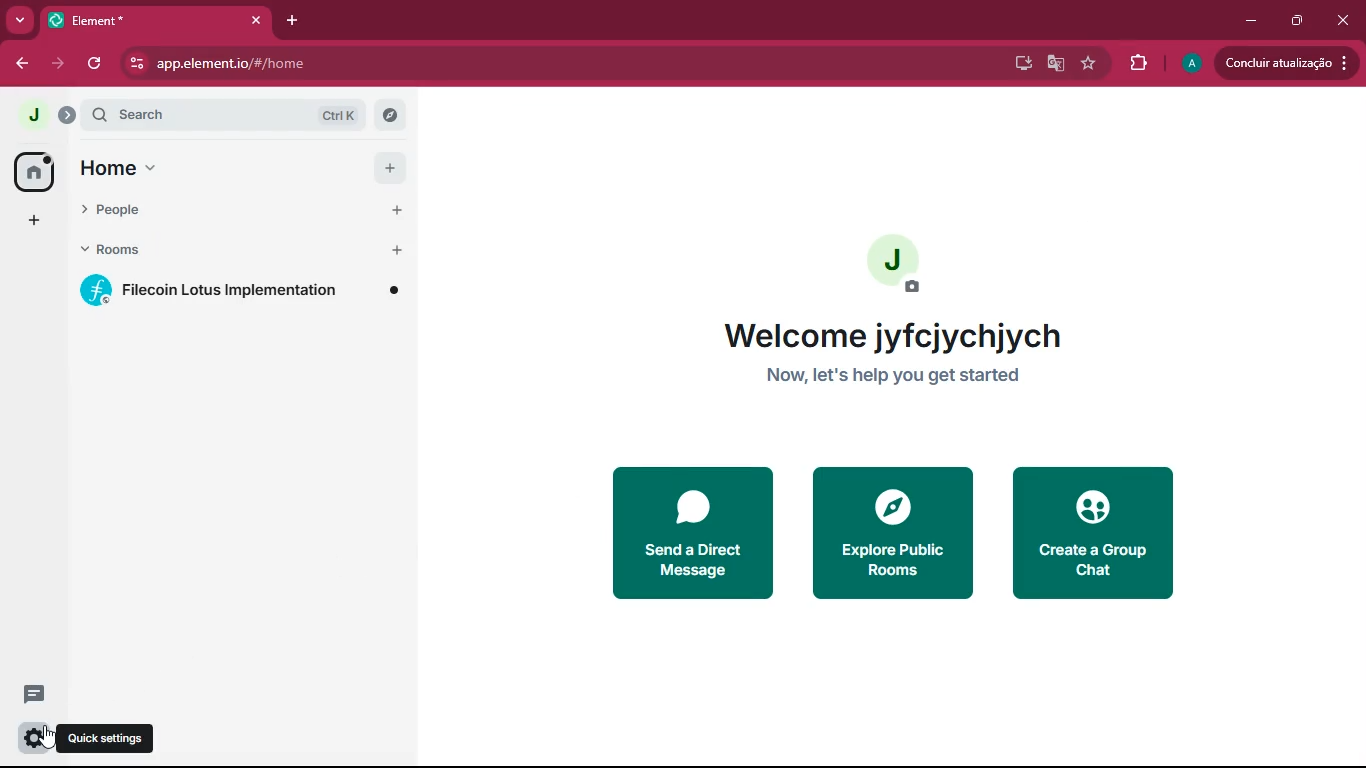 This screenshot has width=1366, height=768. I want to click on let's help you get started, so click(897, 375).